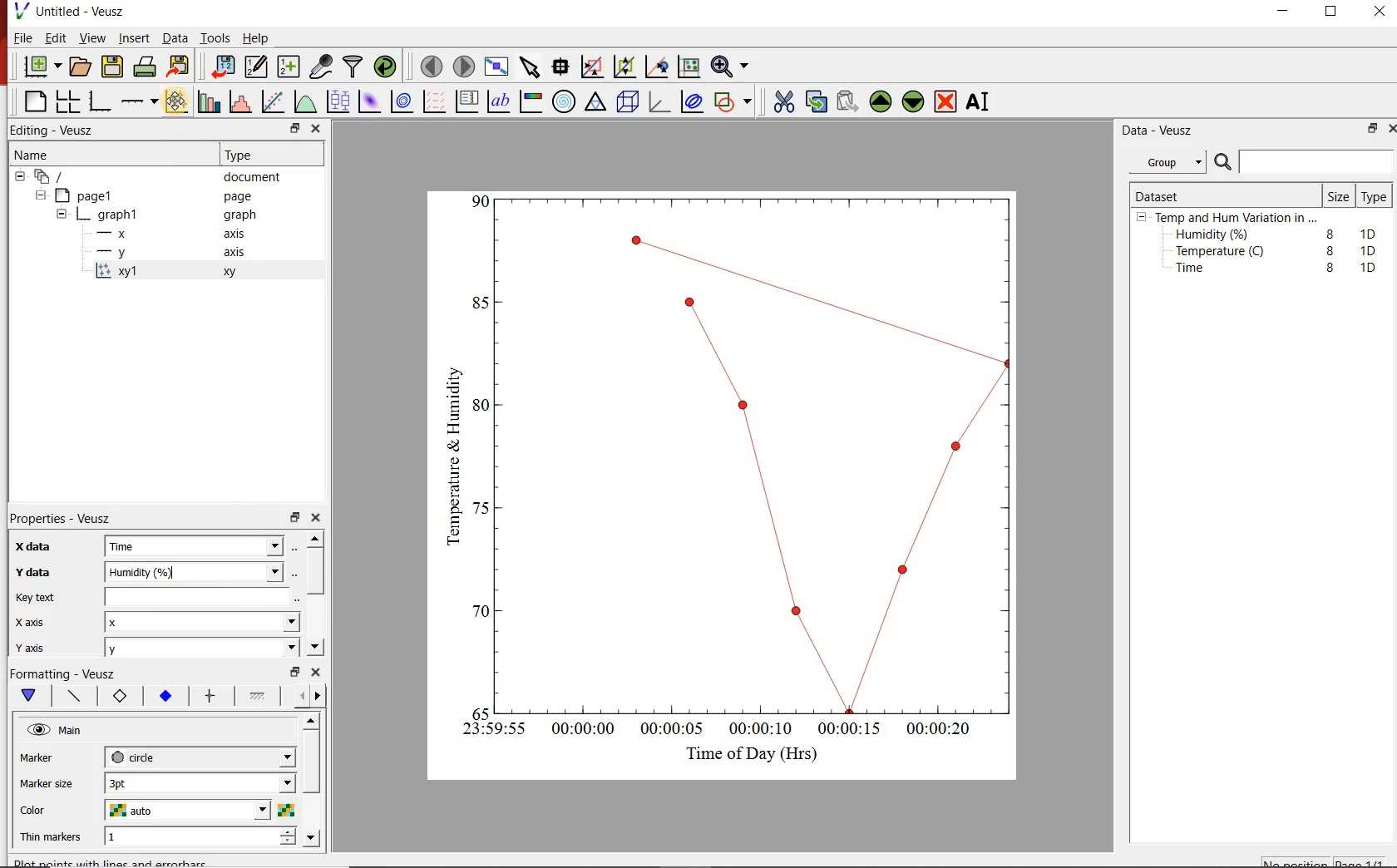  Describe the element at coordinates (33, 100) in the screenshot. I see `blank page` at that location.